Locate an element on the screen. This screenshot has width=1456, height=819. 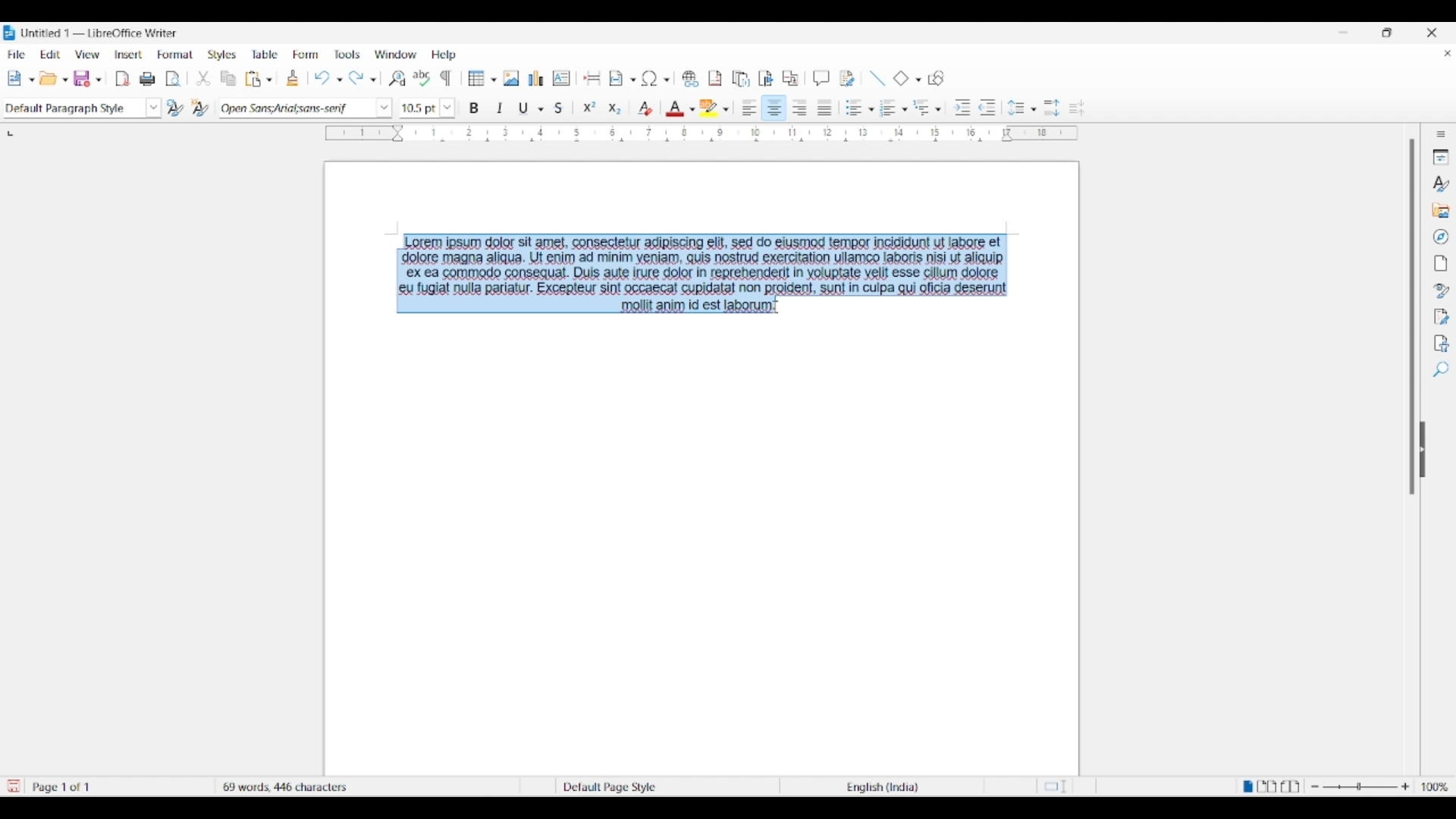
Toggle ordered list options is located at coordinates (905, 109).